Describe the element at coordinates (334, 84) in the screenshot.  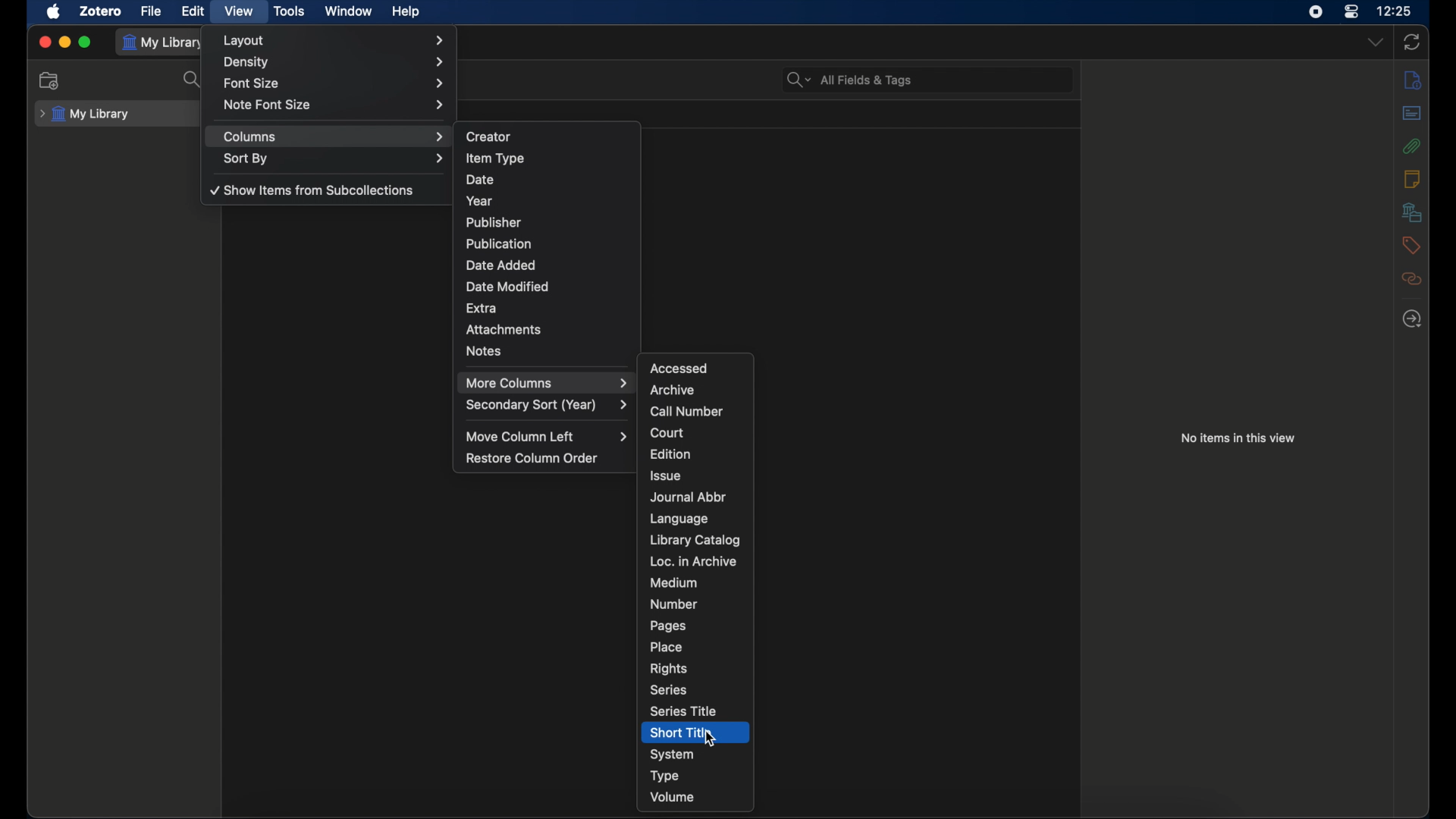
I see `font size` at that location.